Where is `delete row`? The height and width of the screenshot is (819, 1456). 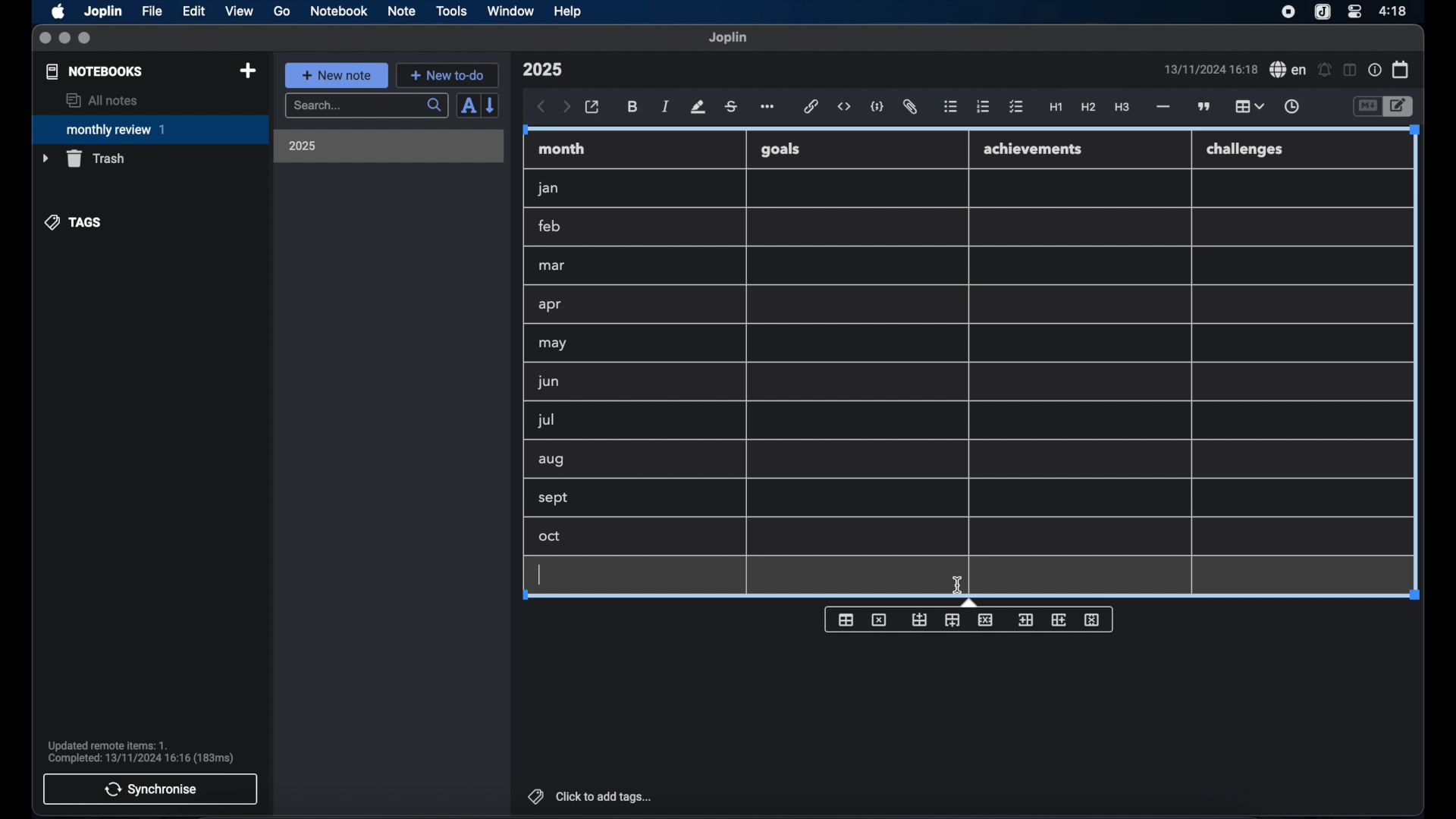 delete row is located at coordinates (987, 620).